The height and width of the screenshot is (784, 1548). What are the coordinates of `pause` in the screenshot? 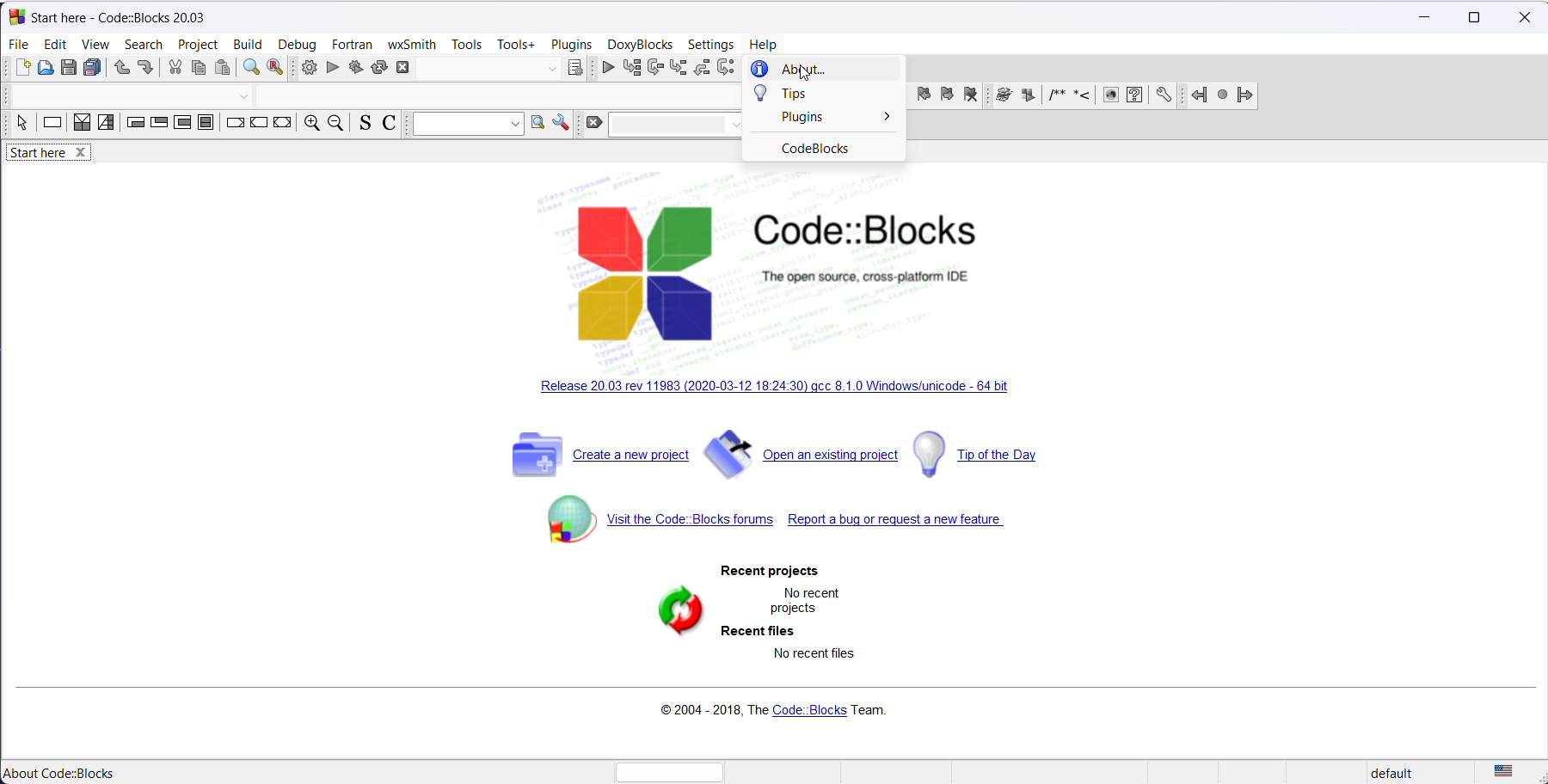 It's located at (1027, 95).